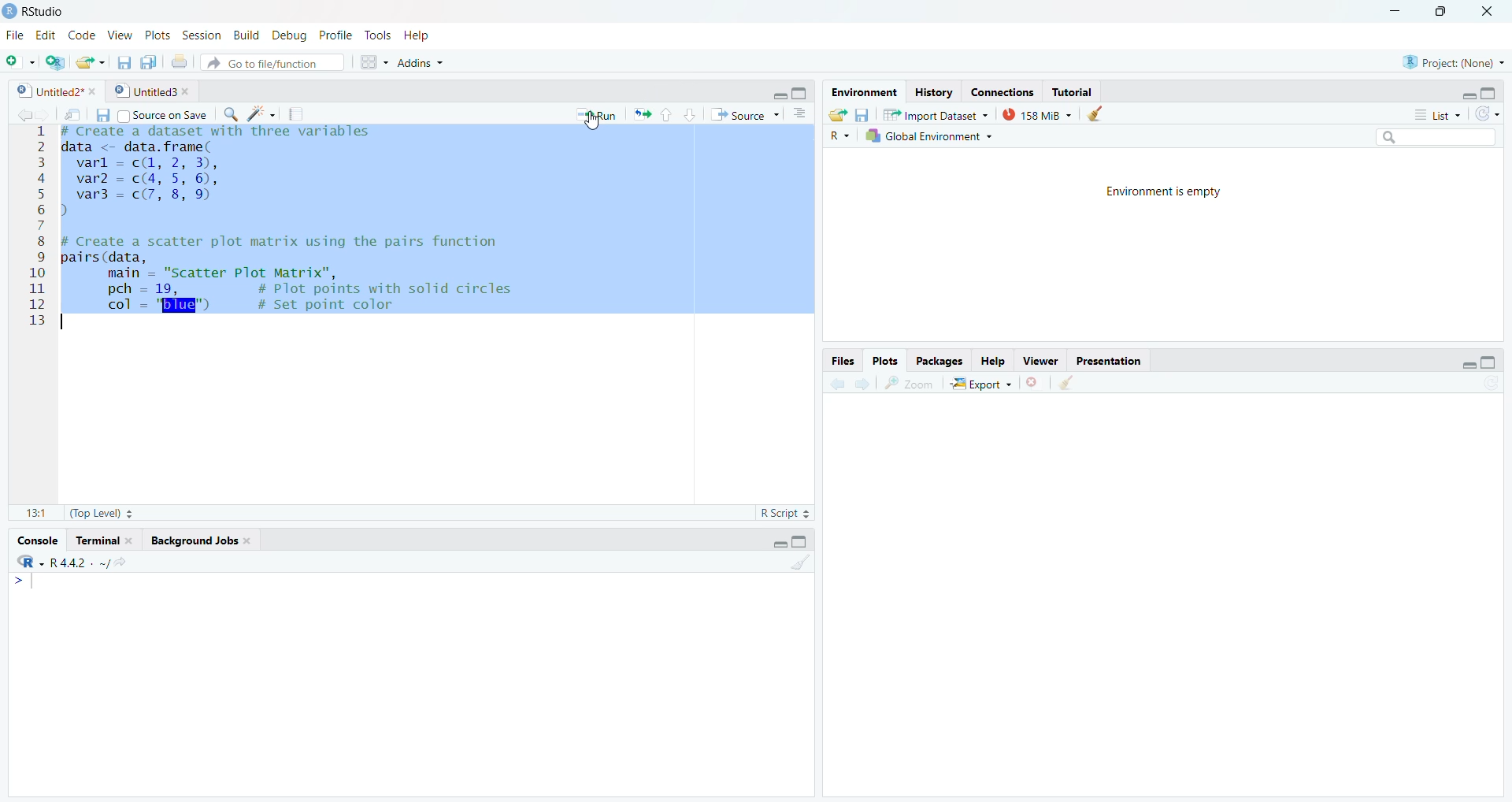 The image size is (1512, 802). I want to click on Debug, so click(289, 33).